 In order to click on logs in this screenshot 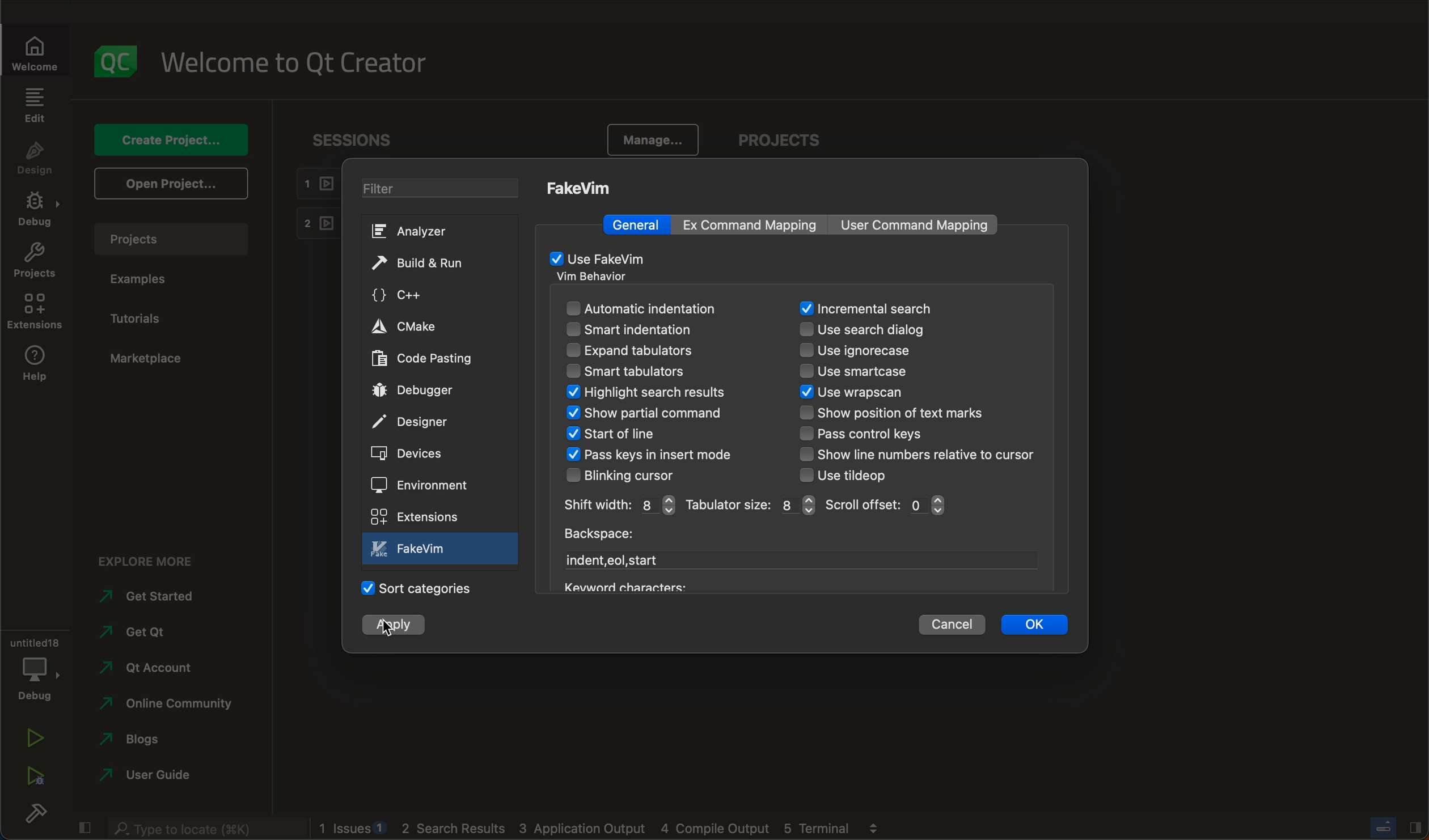, I will do `click(349, 829)`.